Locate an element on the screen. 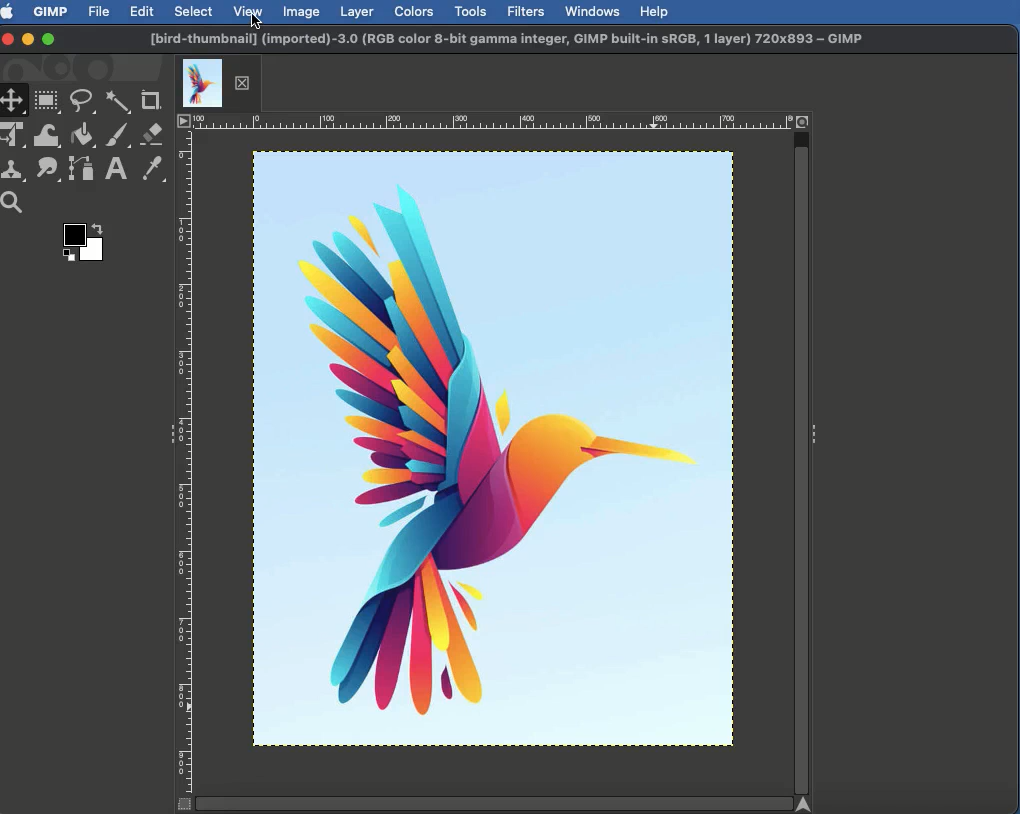  Navigate the image display is located at coordinates (807, 803).